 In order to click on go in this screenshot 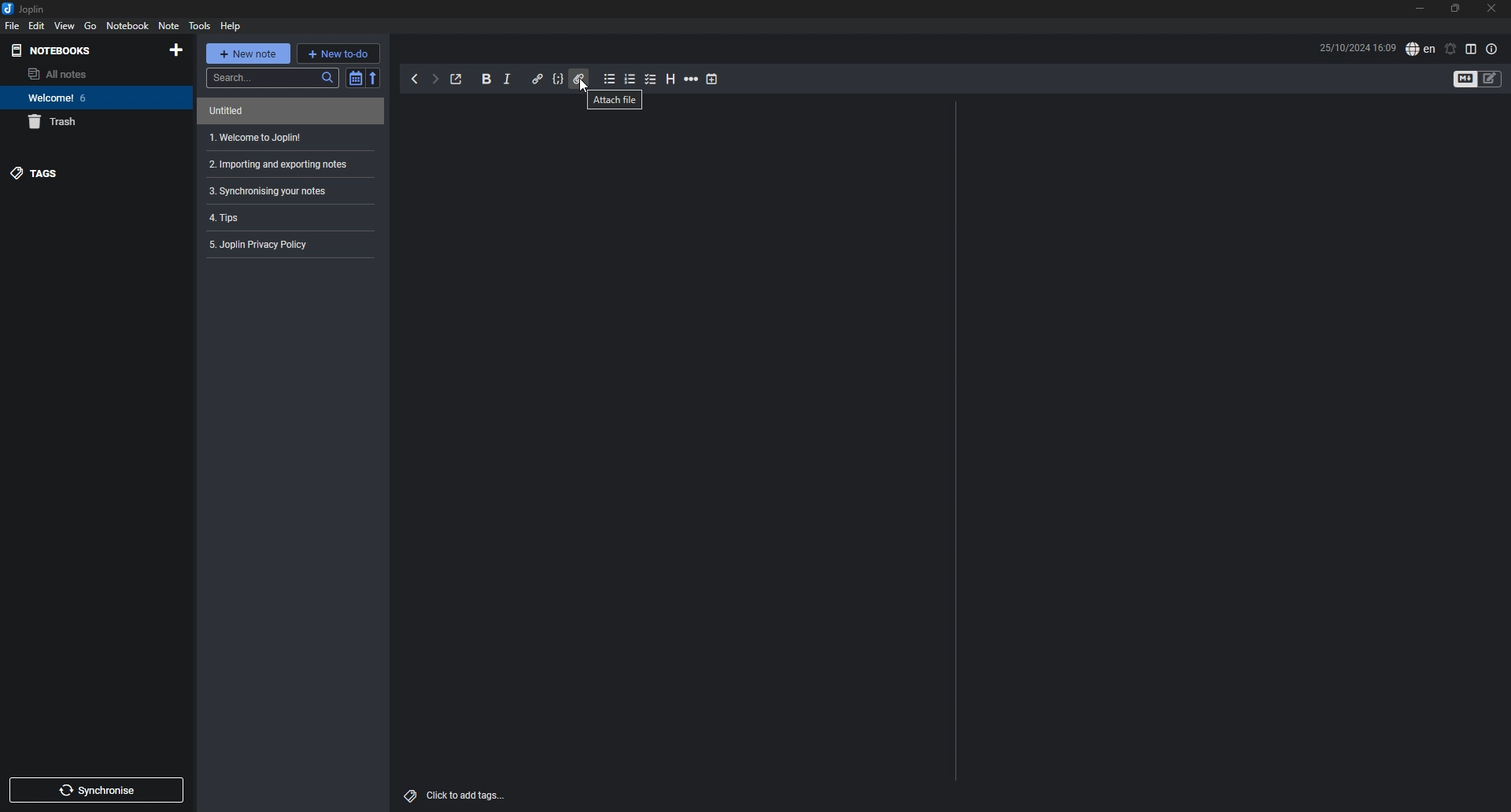, I will do `click(91, 25)`.